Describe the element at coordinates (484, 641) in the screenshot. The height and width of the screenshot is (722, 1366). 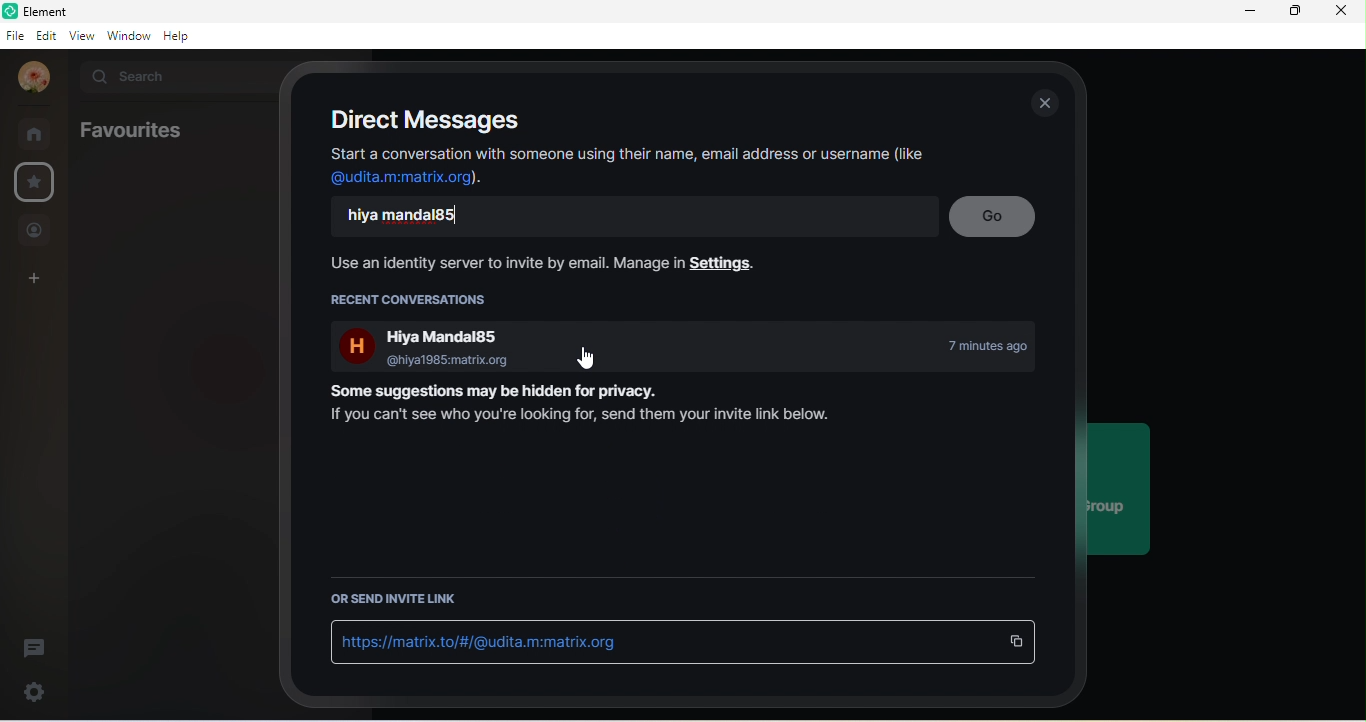
I see `https://matrix.to/#/@udita.m:matrix.org` at that location.